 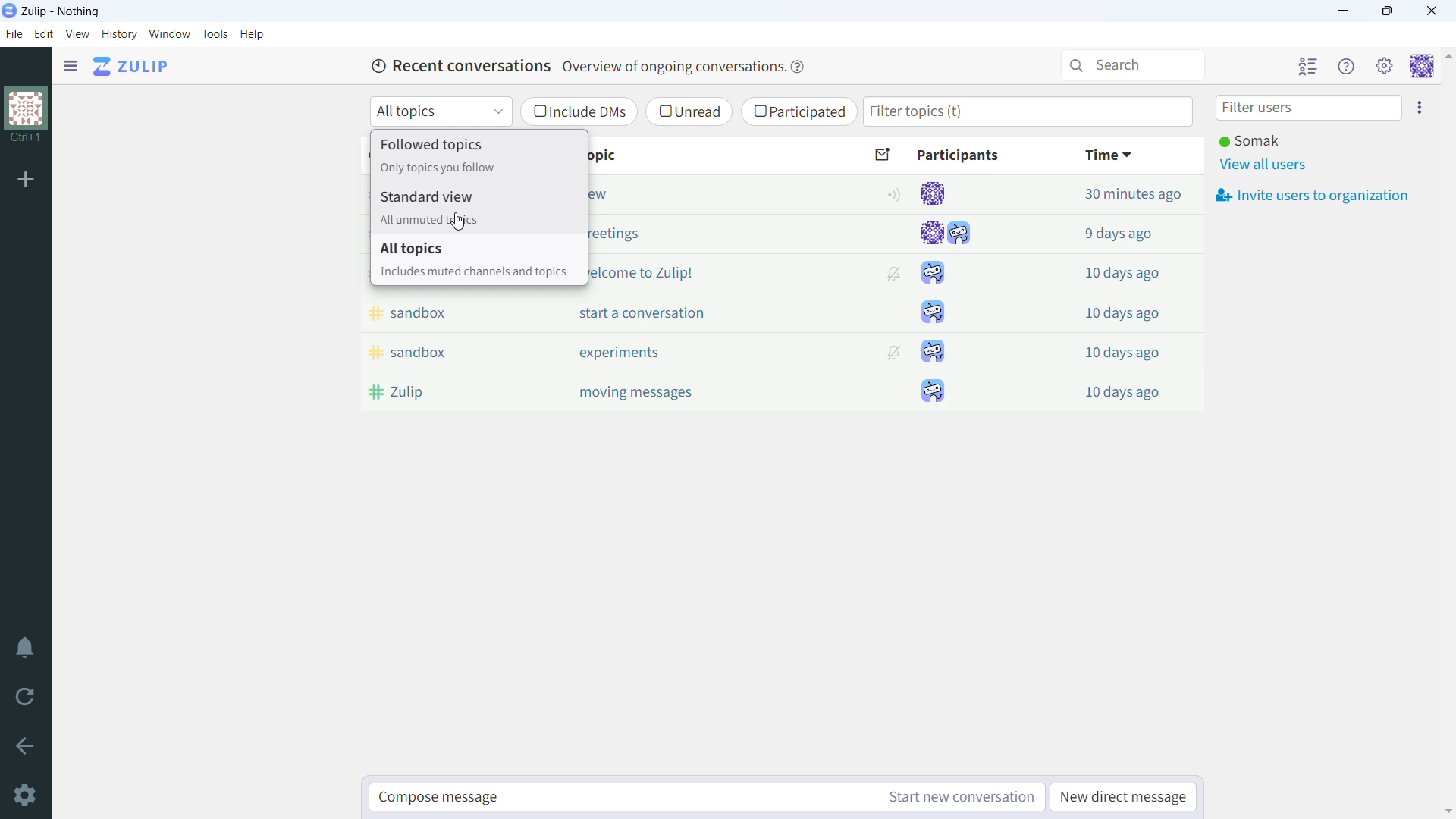 I want to click on organization, so click(x=26, y=108).